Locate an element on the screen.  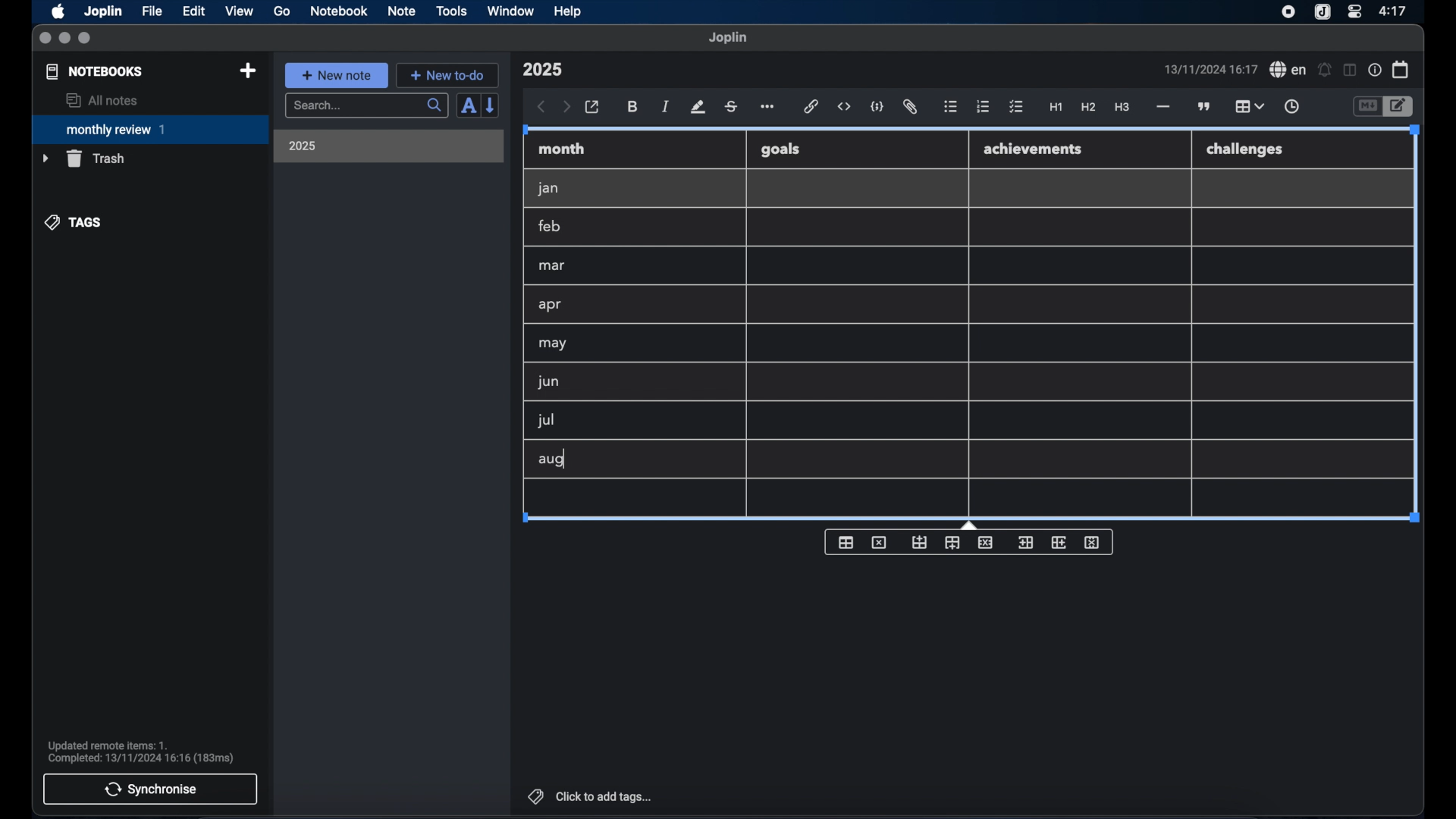
Joplin is located at coordinates (105, 12).